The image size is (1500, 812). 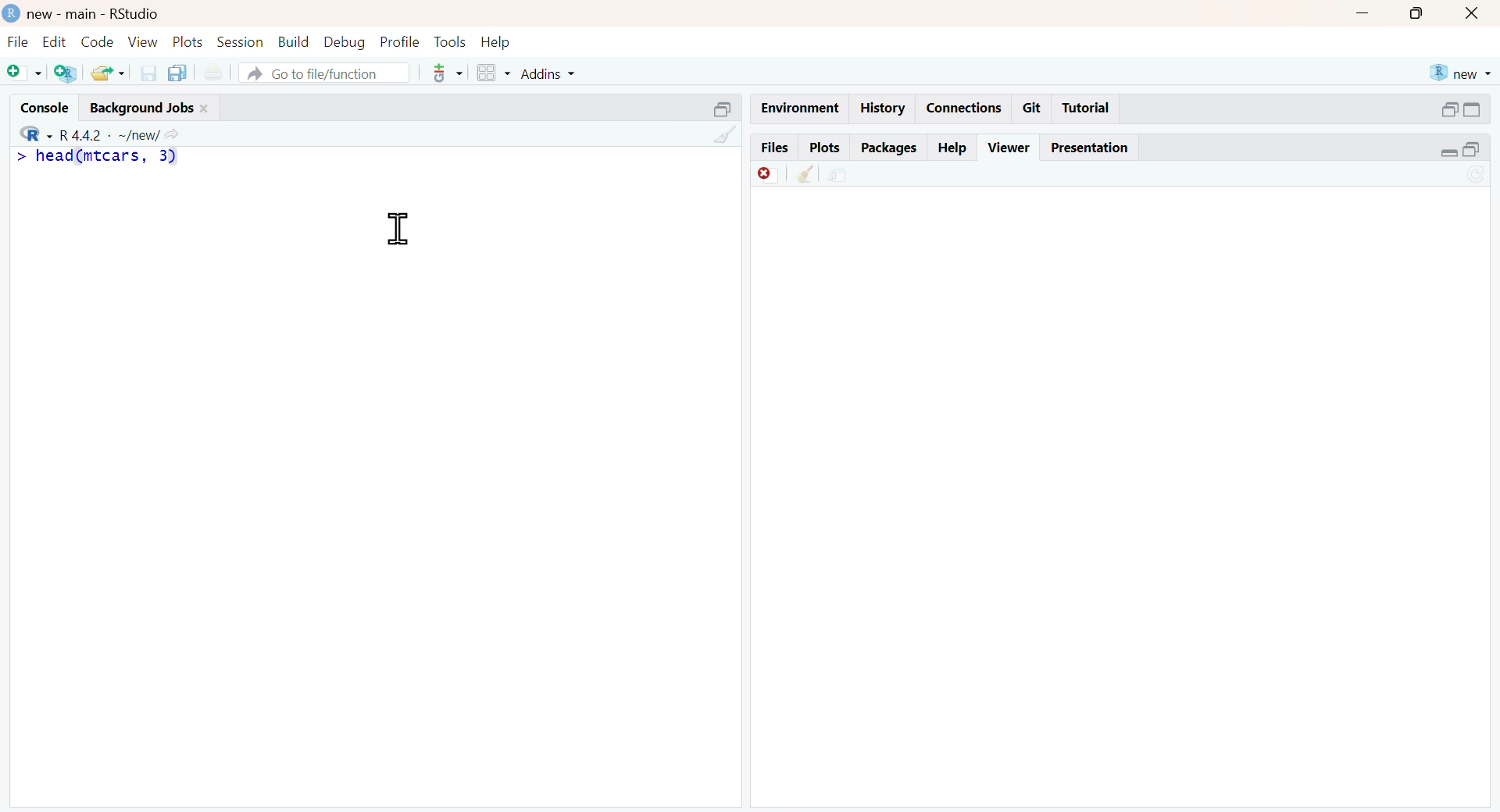 I want to click on minimize, so click(x=1365, y=13).